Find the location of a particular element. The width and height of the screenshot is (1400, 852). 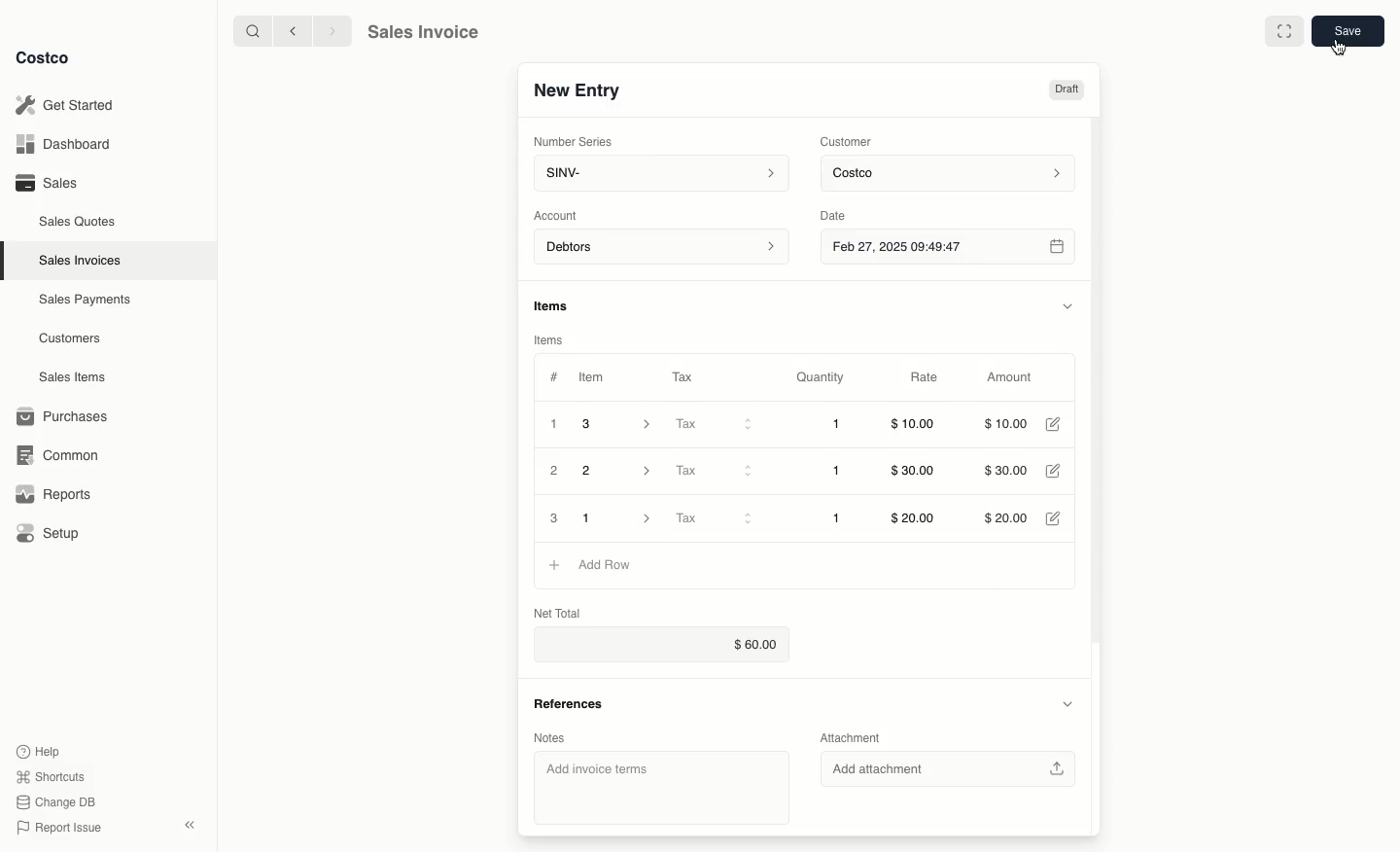

Tax is located at coordinates (714, 519).